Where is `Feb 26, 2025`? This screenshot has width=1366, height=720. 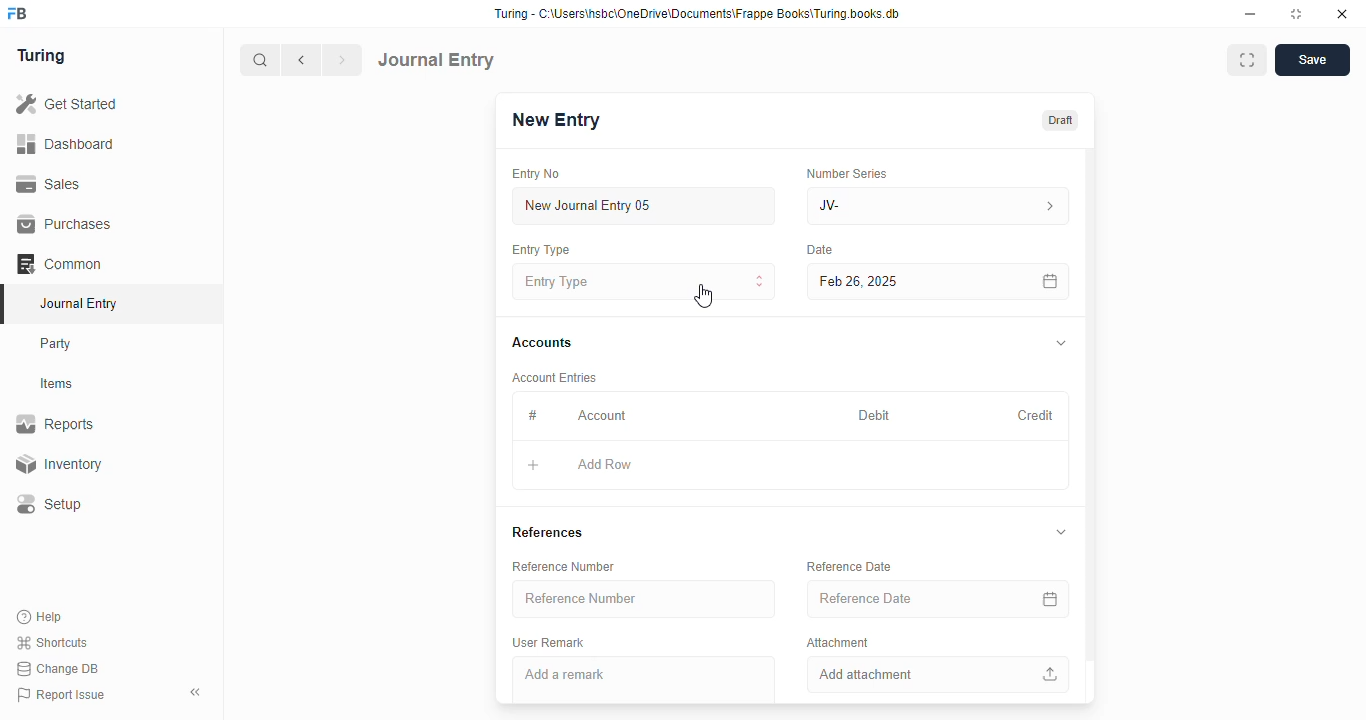 Feb 26, 2025 is located at coordinates (895, 281).